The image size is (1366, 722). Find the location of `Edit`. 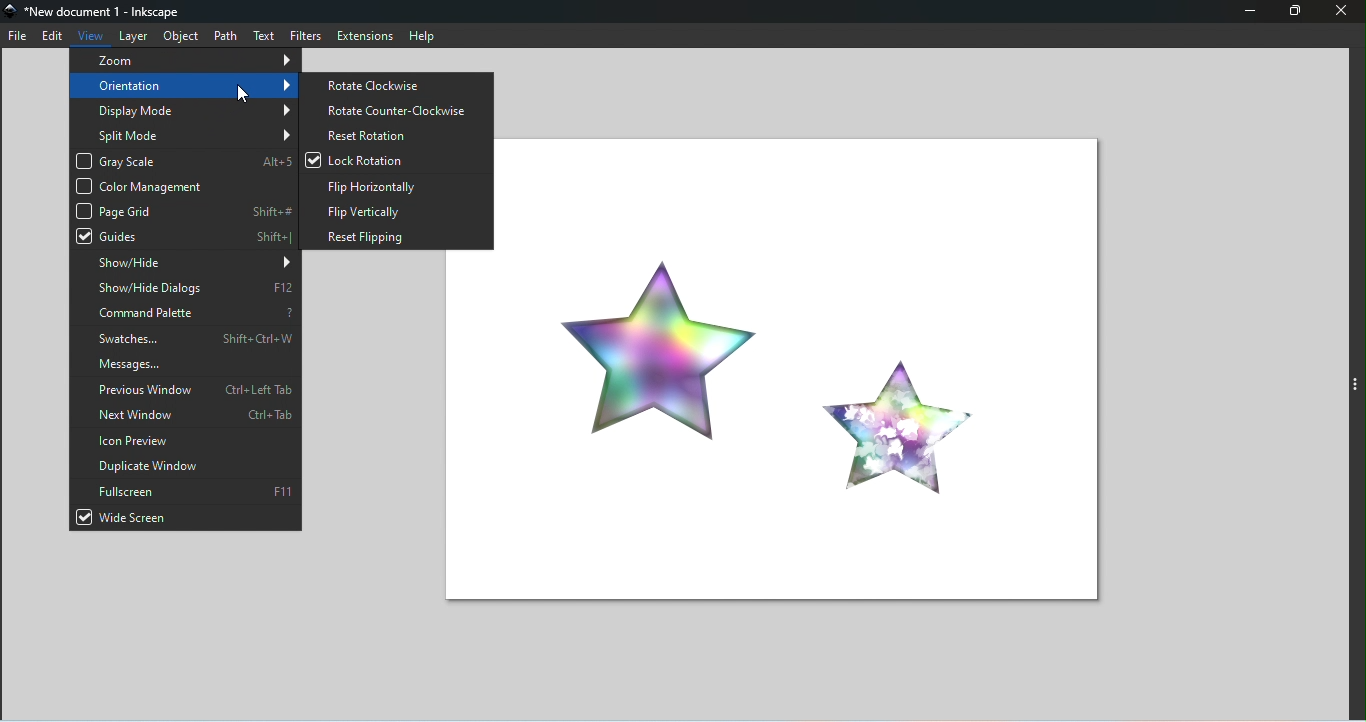

Edit is located at coordinates (53, 37).